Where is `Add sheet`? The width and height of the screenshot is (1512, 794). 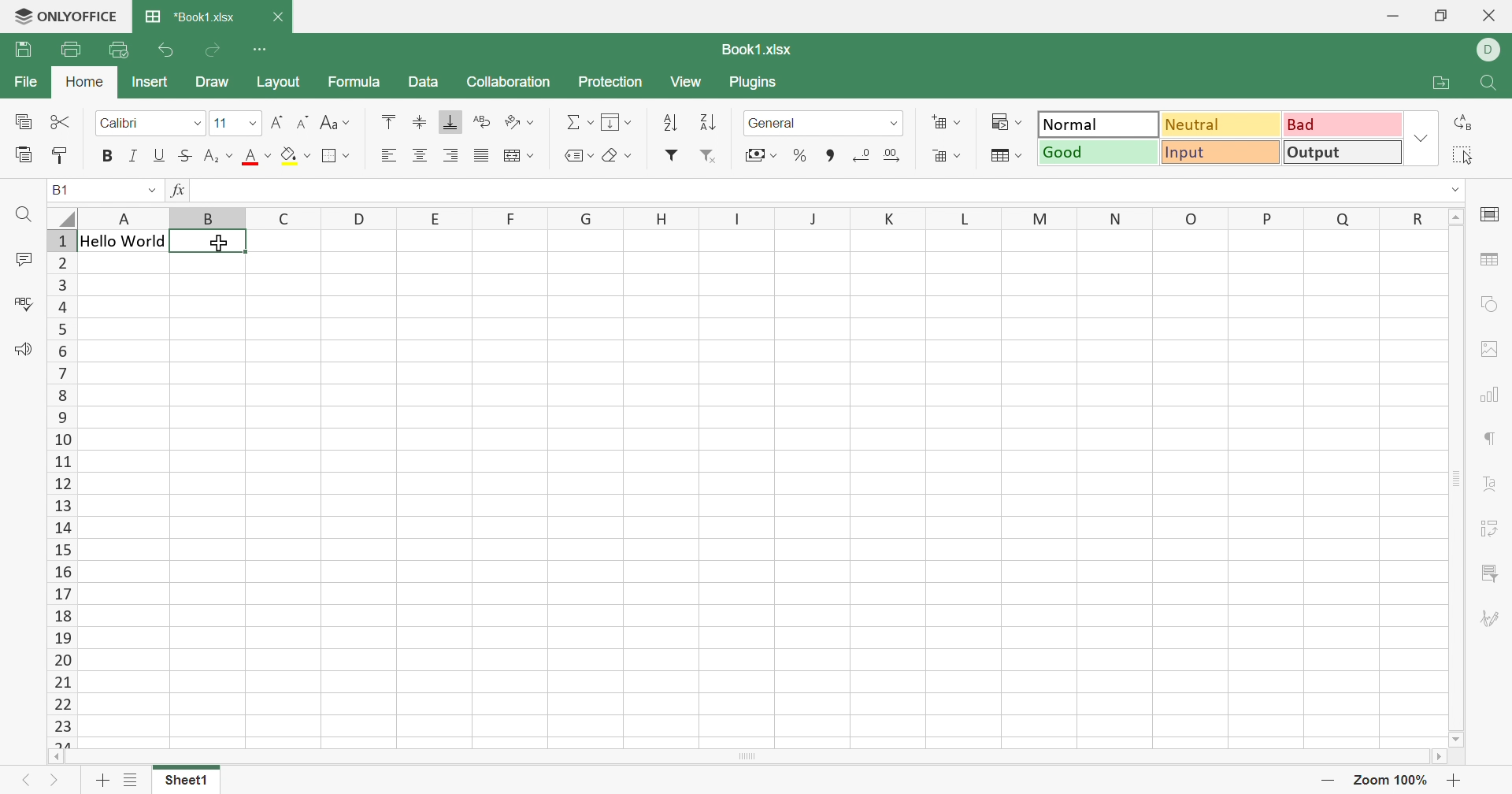
Add sheet is located at coordinates (100, 781).